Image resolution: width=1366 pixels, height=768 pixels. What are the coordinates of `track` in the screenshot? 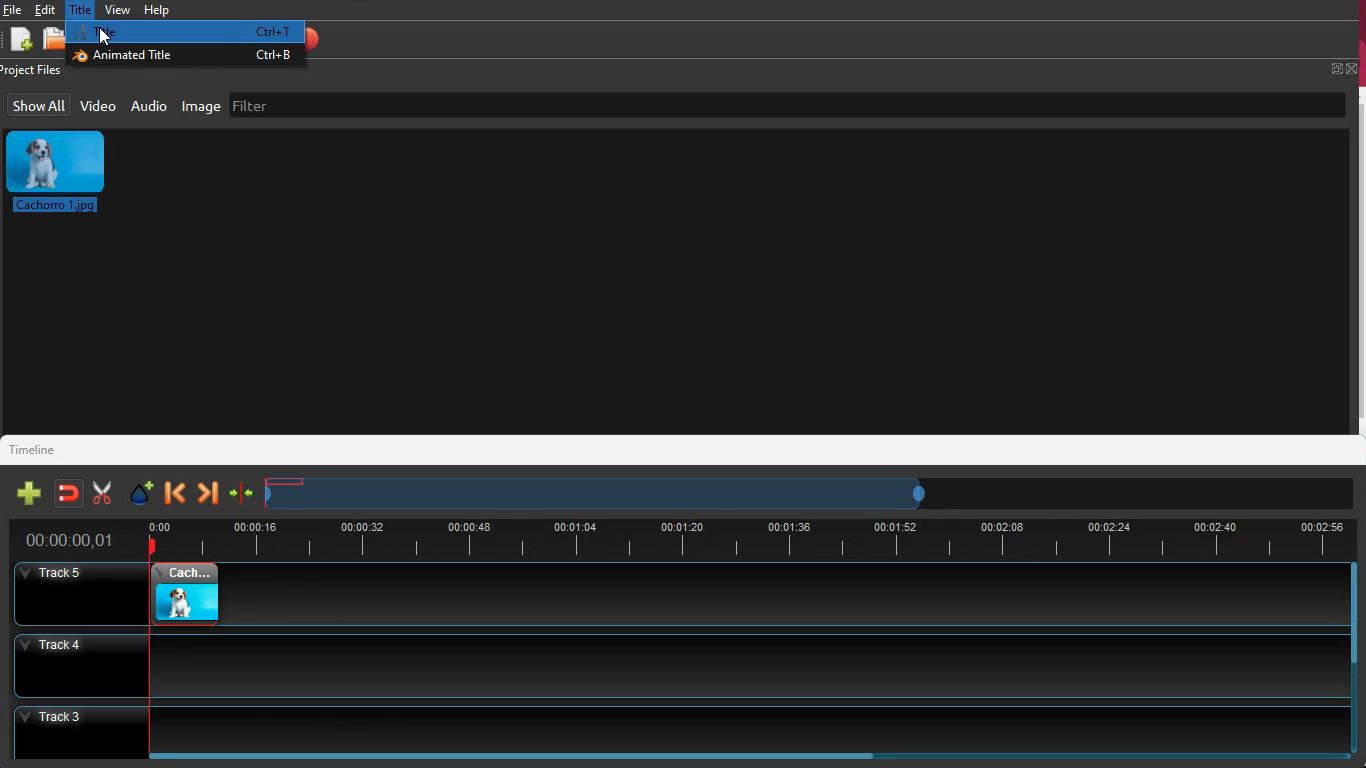 It's located at (674, 664).